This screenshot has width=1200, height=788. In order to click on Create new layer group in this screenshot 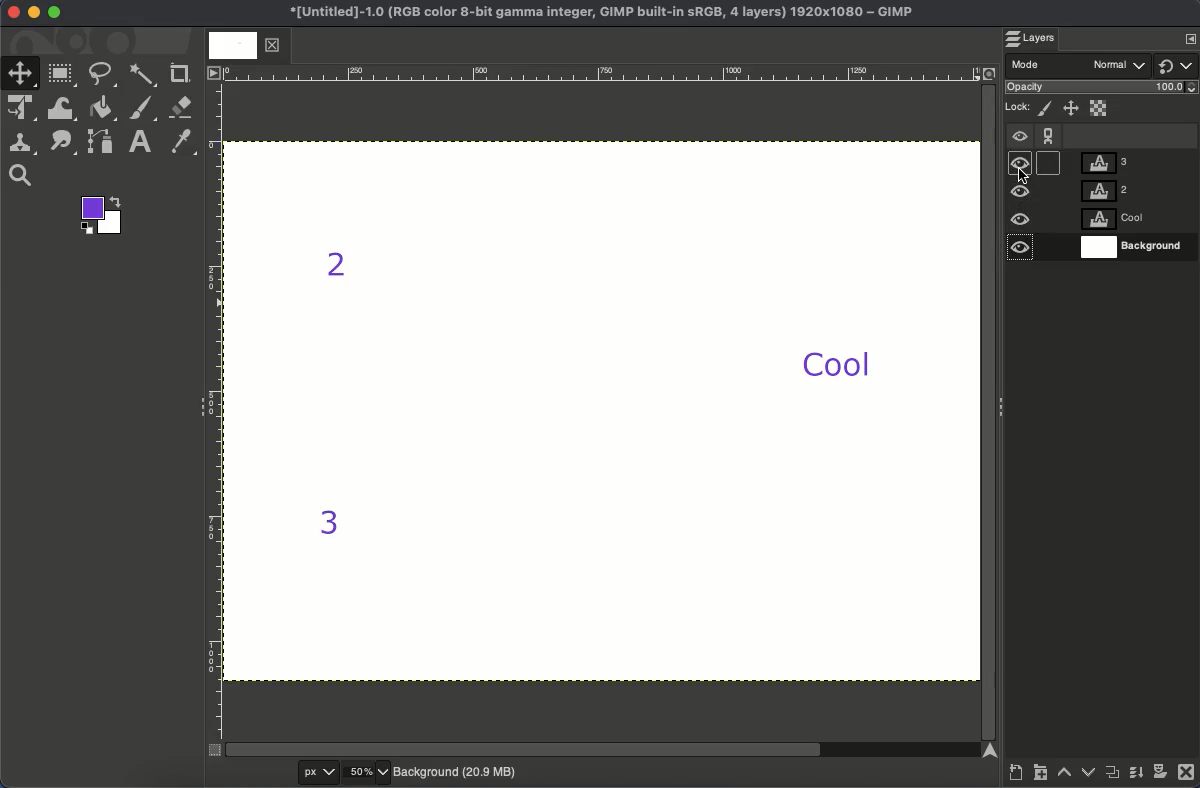, I will do `click(1041, 776)`.